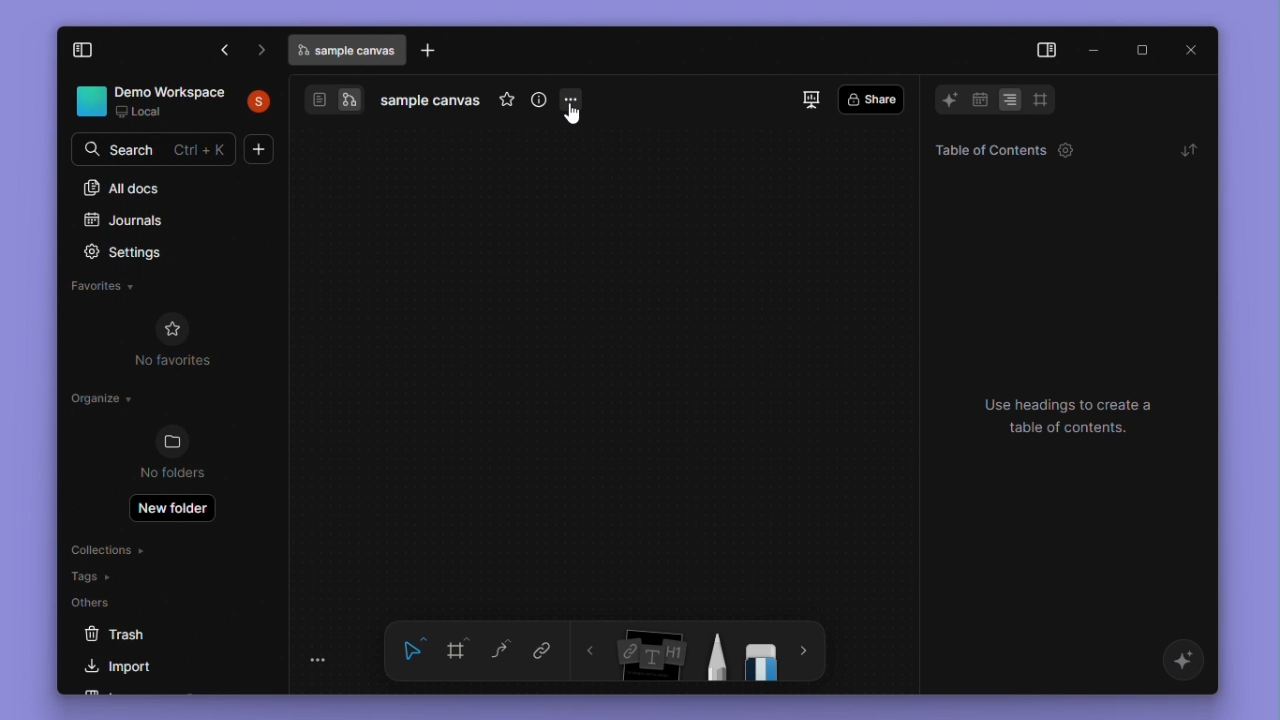  I want to click on Close, so click(1194, 50).